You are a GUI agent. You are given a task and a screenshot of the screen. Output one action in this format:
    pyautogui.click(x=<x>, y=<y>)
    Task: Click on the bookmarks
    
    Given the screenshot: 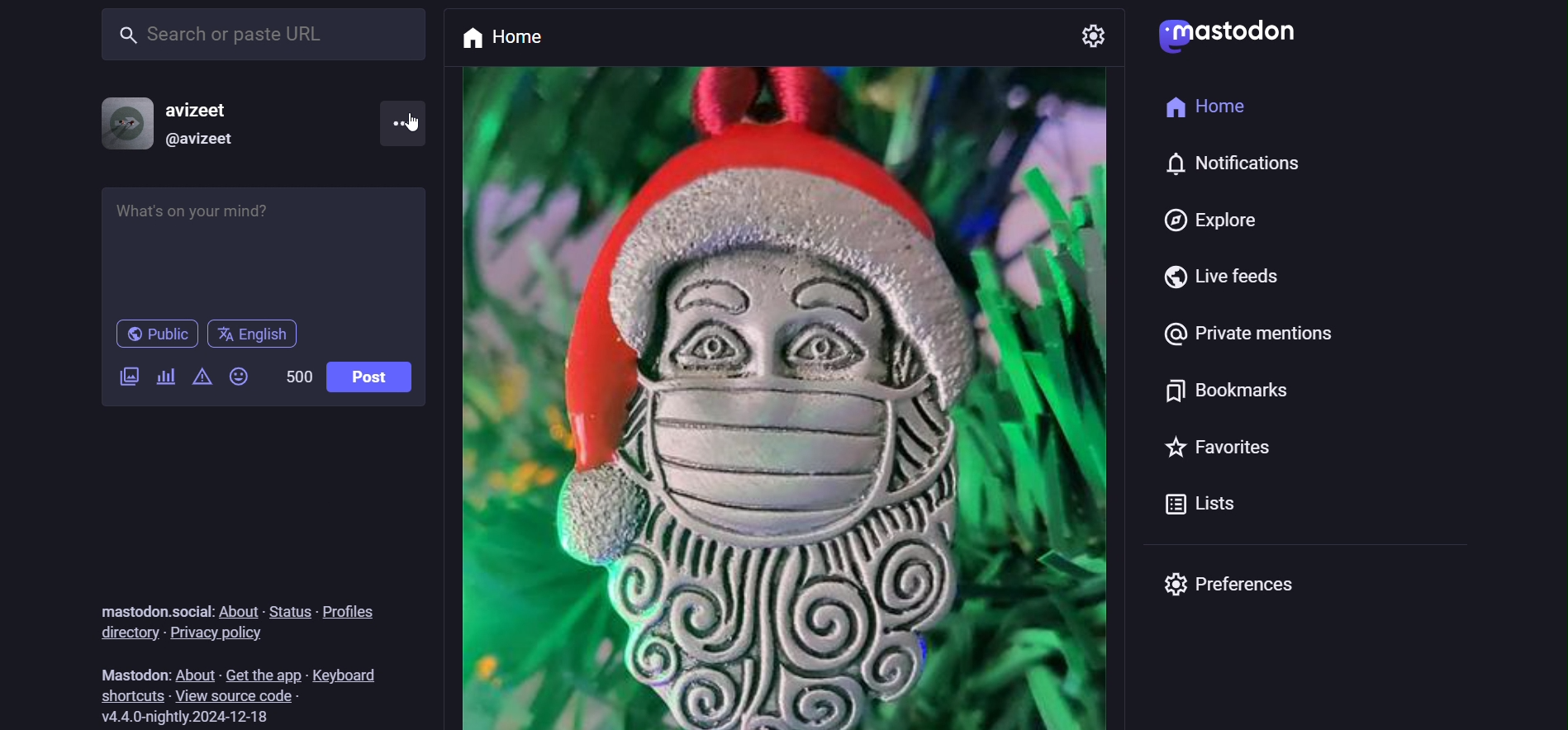 What is the action you would take?
    pyautogui.click(x=1223, y=395)
    